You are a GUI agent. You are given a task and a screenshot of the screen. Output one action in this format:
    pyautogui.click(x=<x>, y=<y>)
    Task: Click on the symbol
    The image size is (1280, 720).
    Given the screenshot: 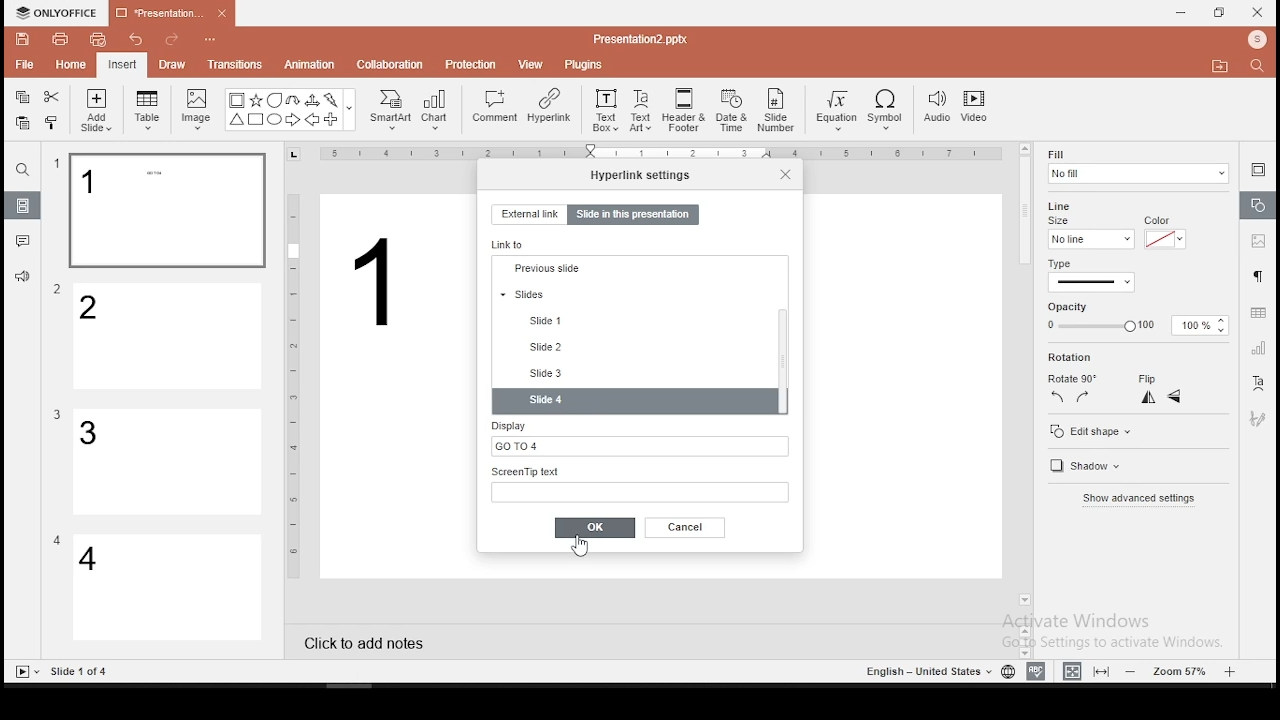 What is the action you would take?
    pyautogui.click(x=889, y=111)
    